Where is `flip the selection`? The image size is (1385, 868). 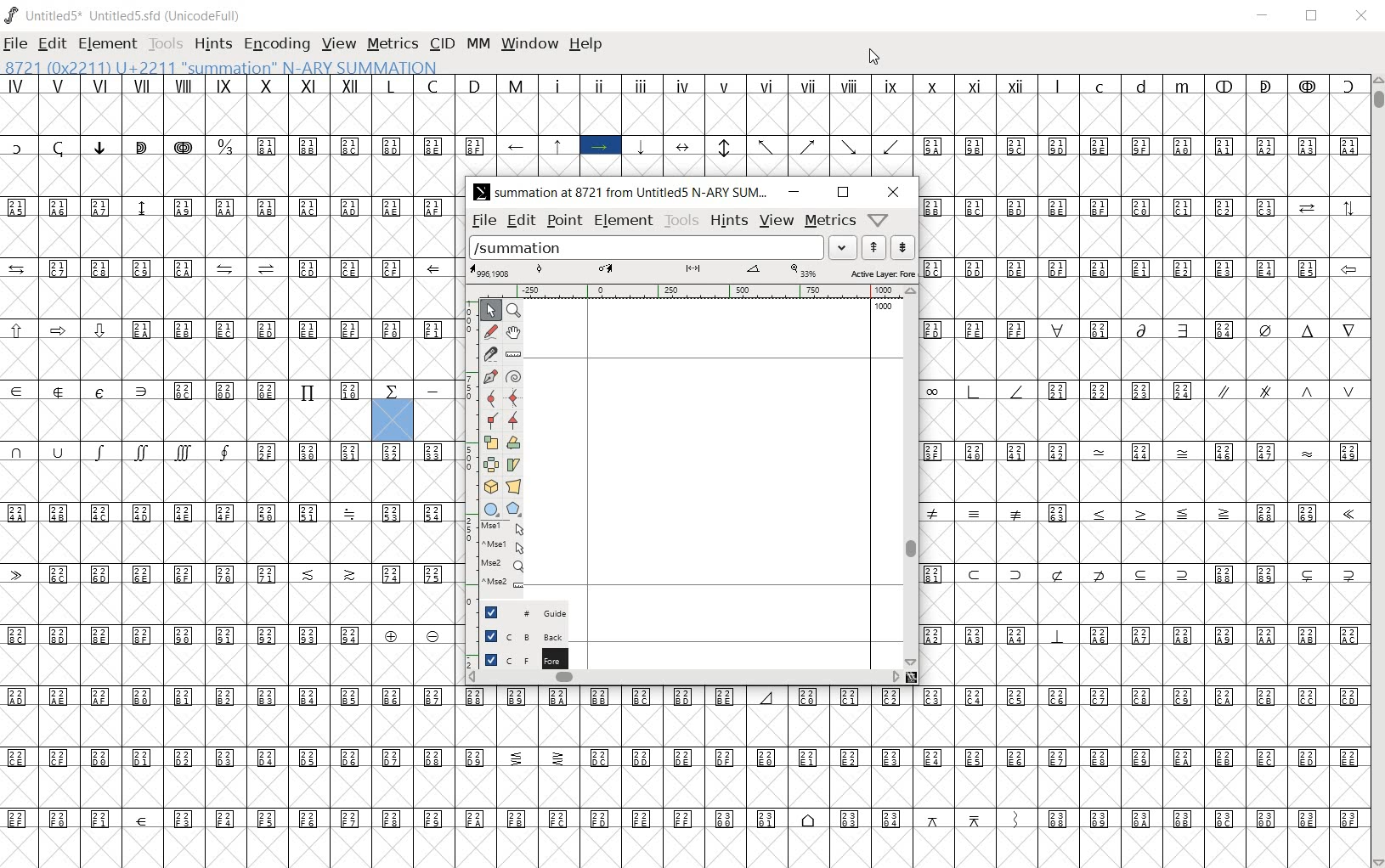 flip the selection is located at coordinates (492, 465).